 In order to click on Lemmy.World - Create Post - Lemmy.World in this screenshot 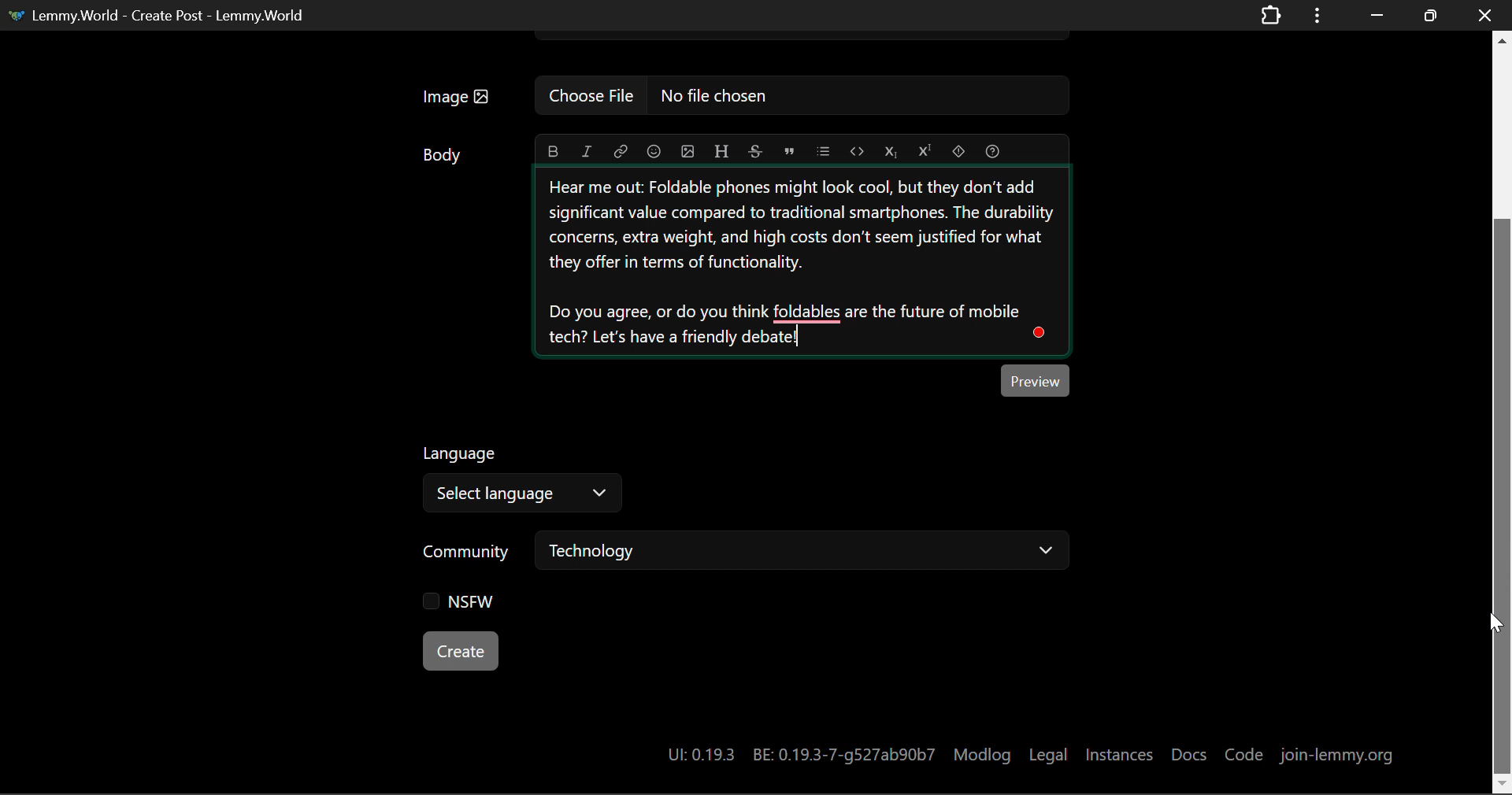, I will do `click(160, 14)`.